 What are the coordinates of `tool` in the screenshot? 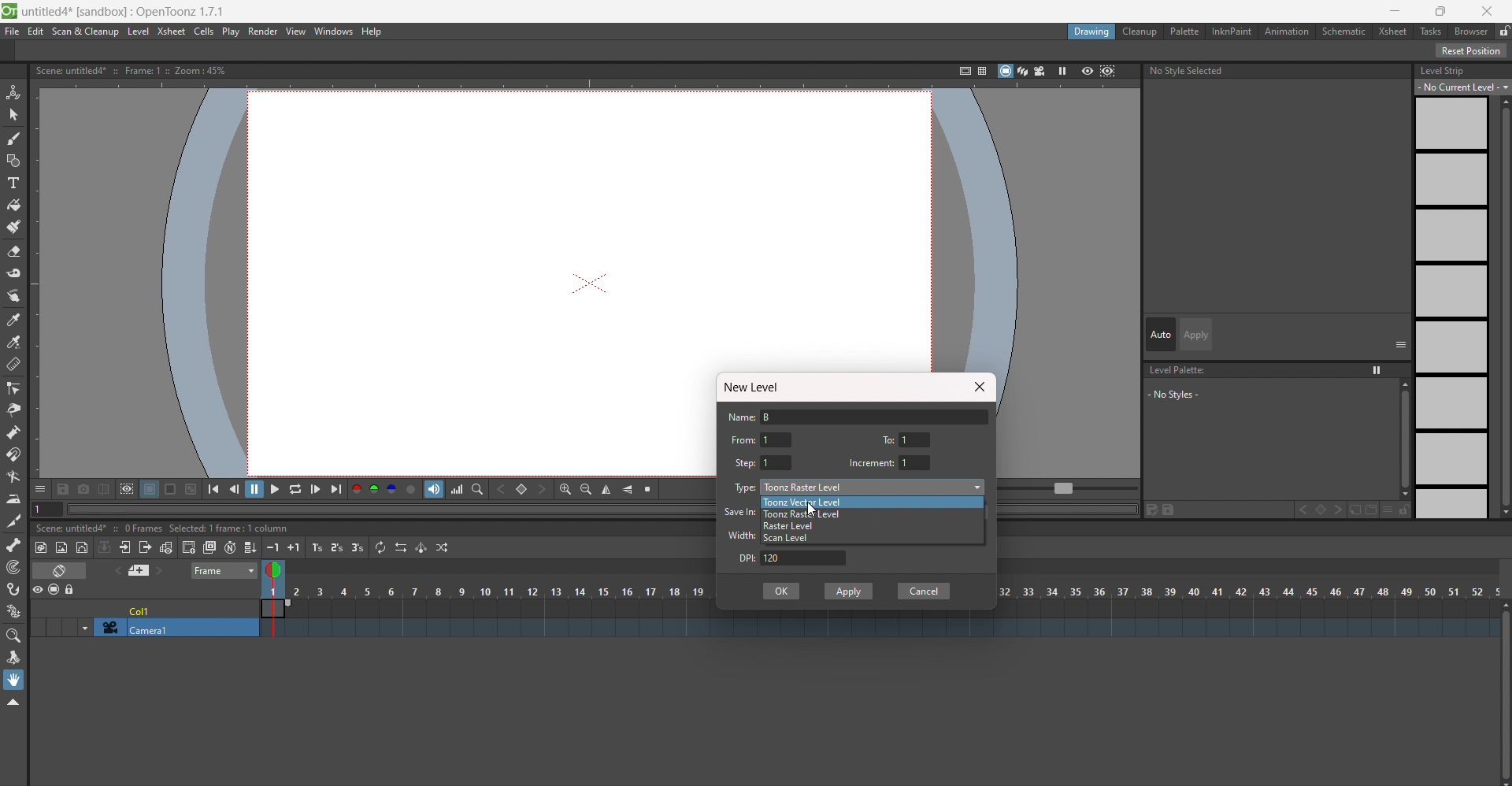 It's located at (103, 488).